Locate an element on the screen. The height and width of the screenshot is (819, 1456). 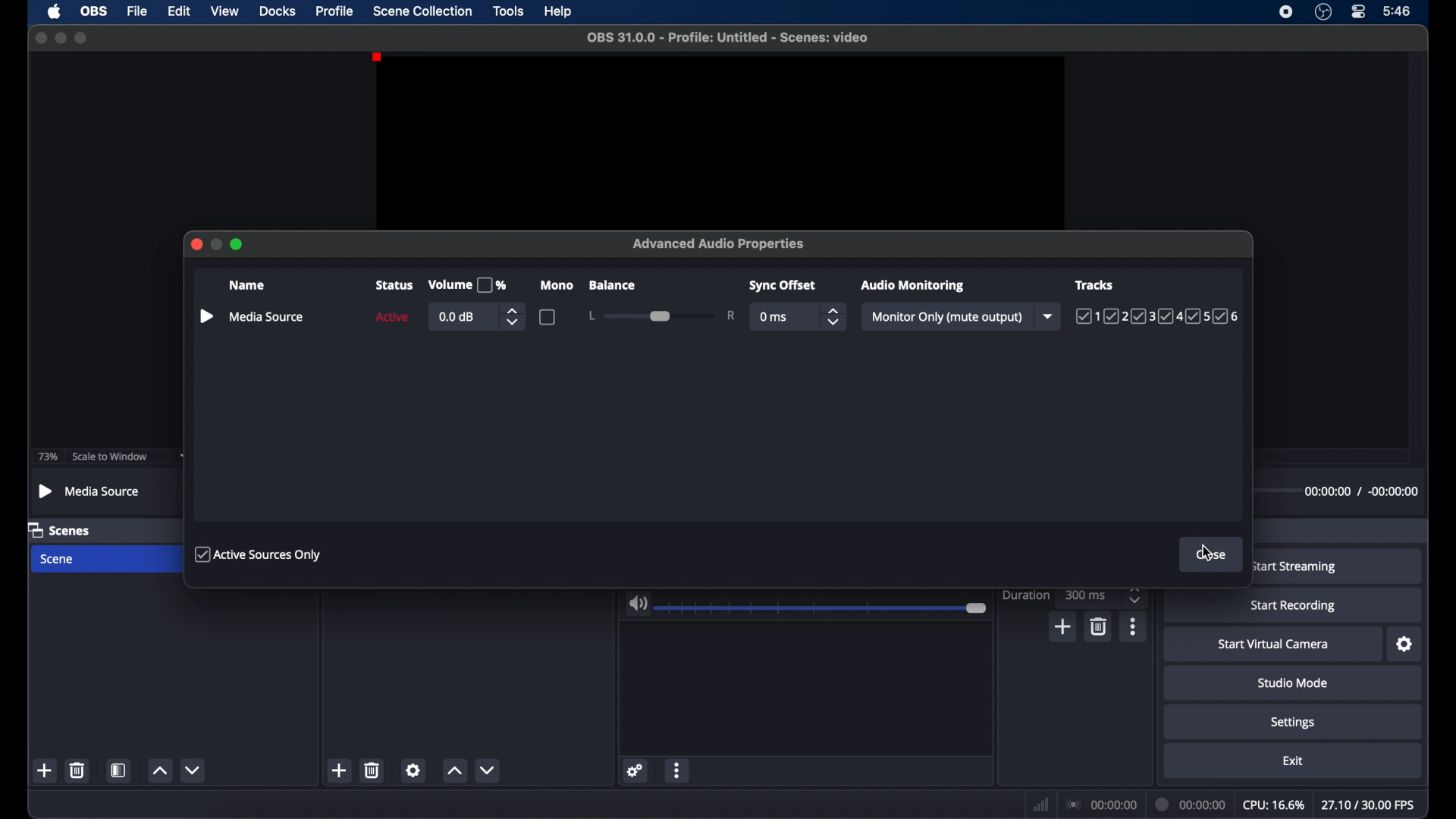
stepper buttons is located at coordinates (1134, 595).